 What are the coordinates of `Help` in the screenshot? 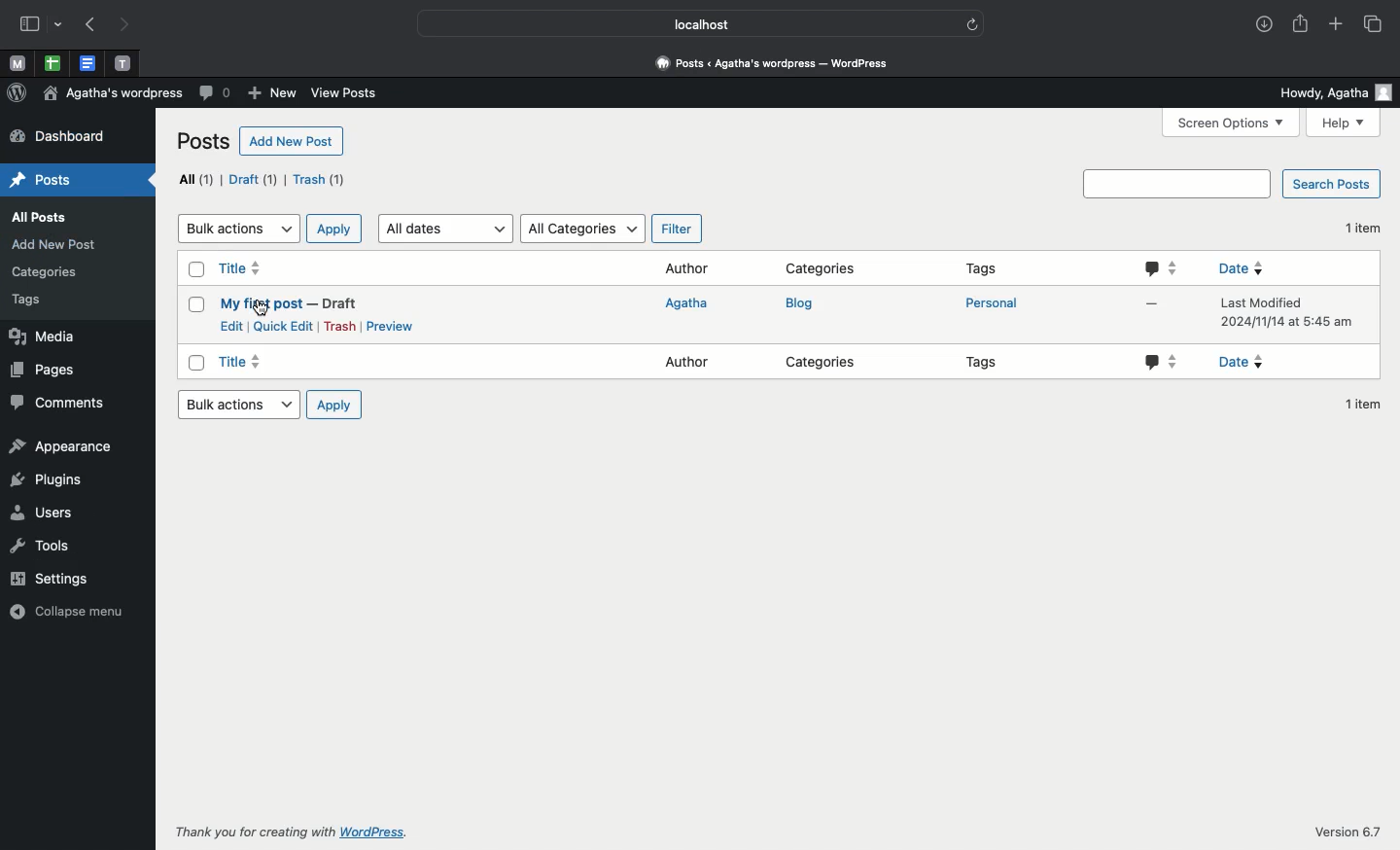 It's located at (1343, 124).